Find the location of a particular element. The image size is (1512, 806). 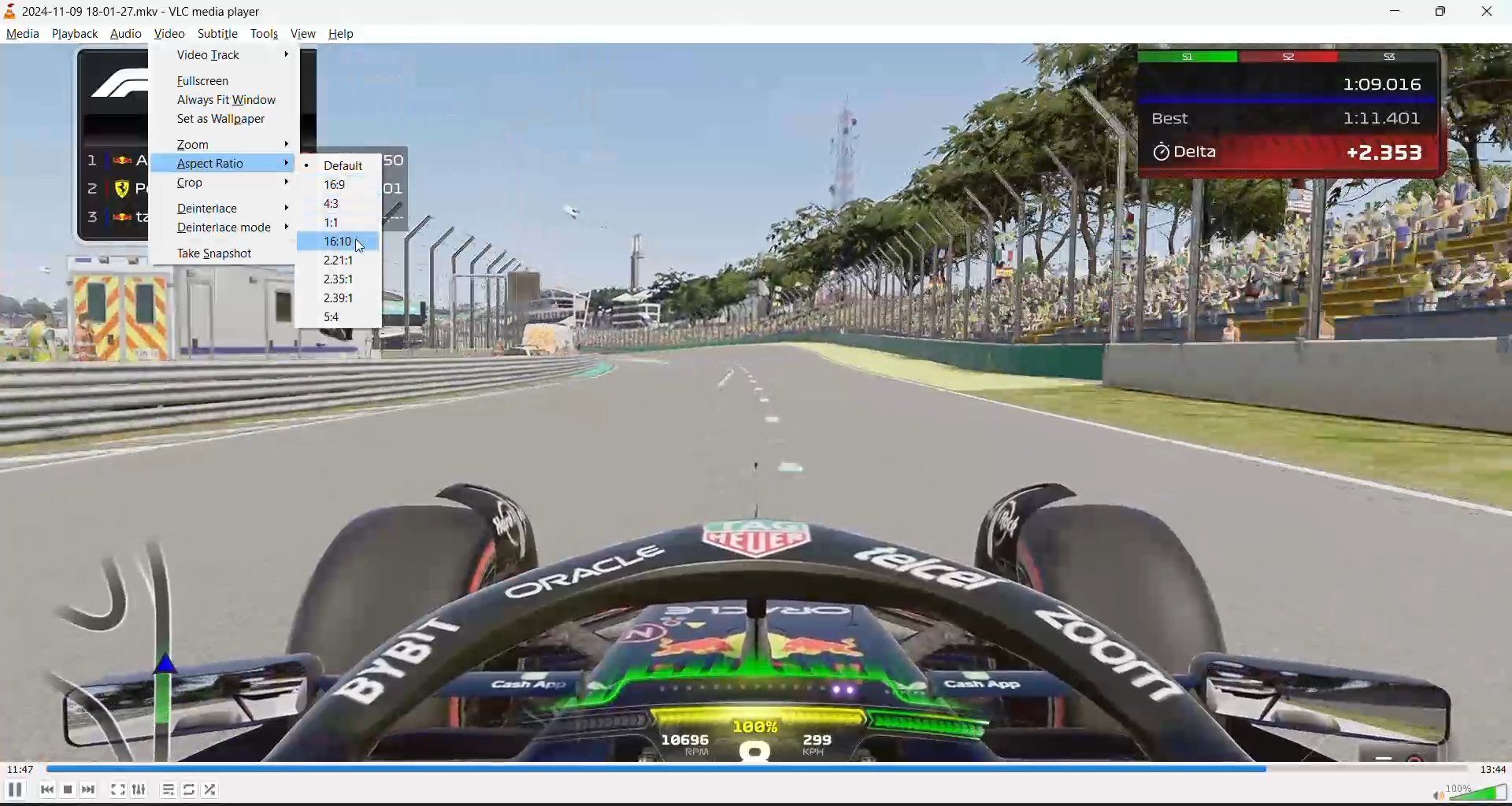

loop is located at coordinates (191, 788).